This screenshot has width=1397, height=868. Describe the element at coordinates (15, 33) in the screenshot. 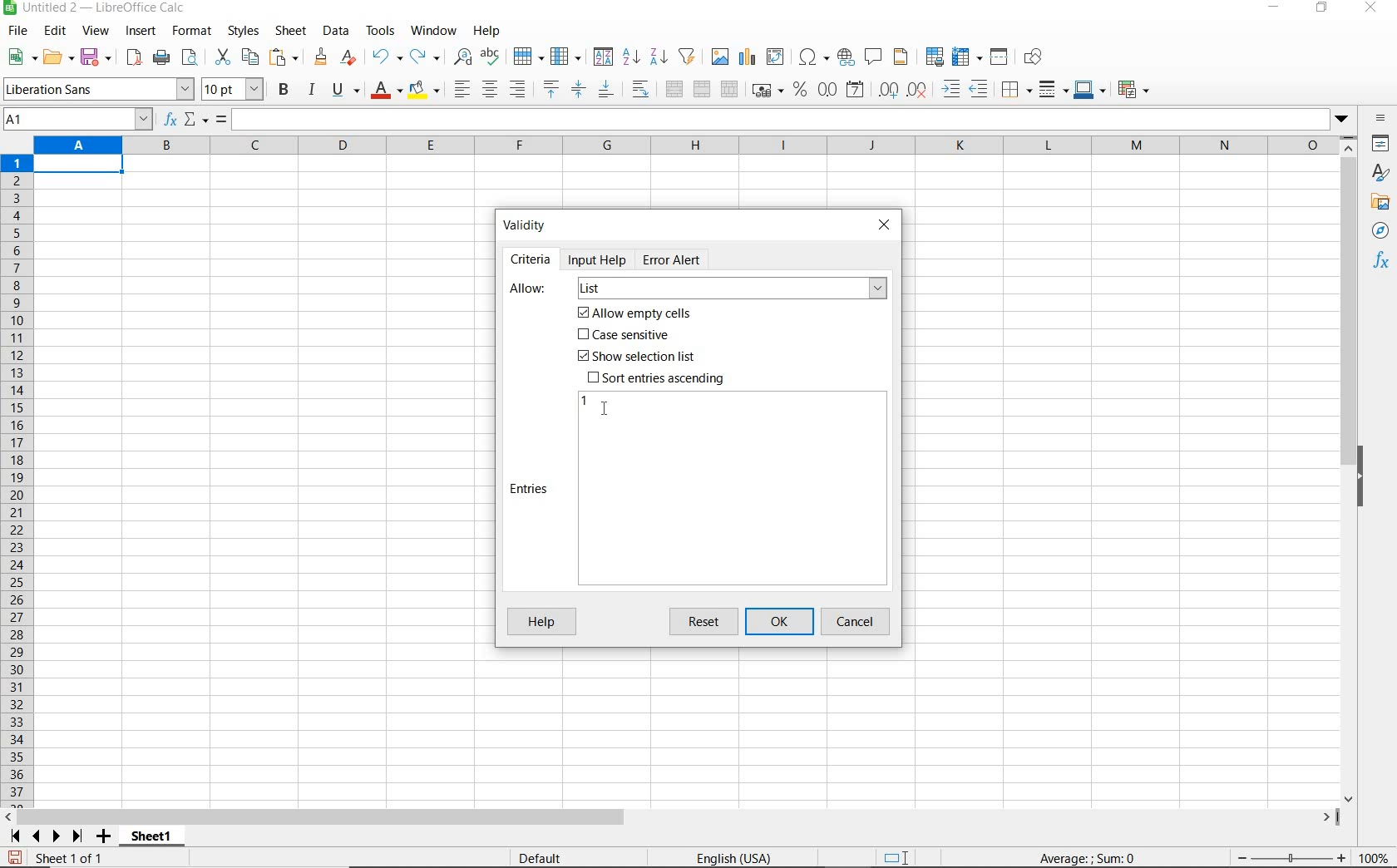

I see `file` at that location.